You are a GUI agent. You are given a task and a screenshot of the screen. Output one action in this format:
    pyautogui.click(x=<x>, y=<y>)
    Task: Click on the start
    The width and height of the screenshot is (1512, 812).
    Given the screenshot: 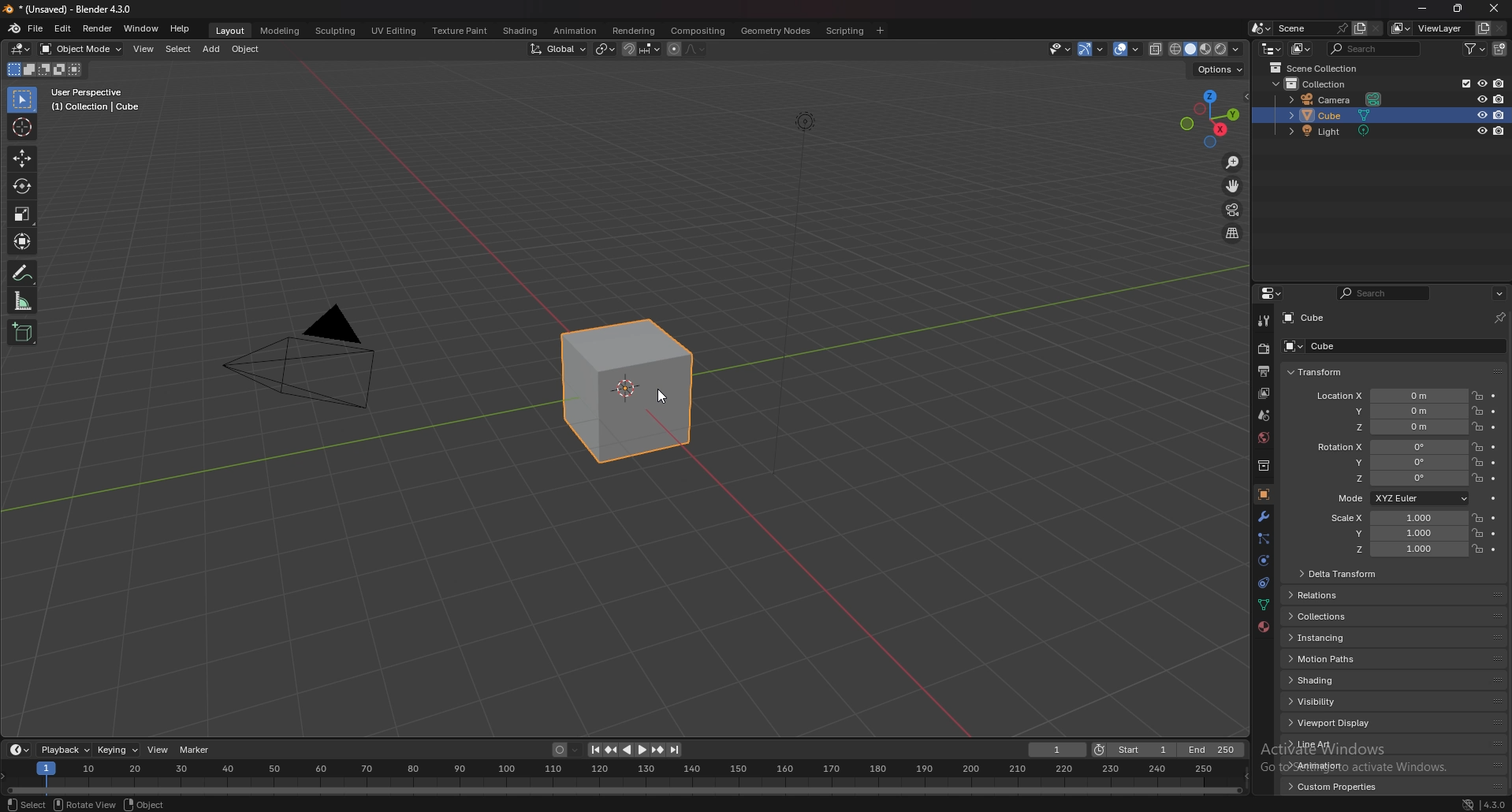 What is the action you would take?
    pyautogui.click(x=1131, y=750)
    